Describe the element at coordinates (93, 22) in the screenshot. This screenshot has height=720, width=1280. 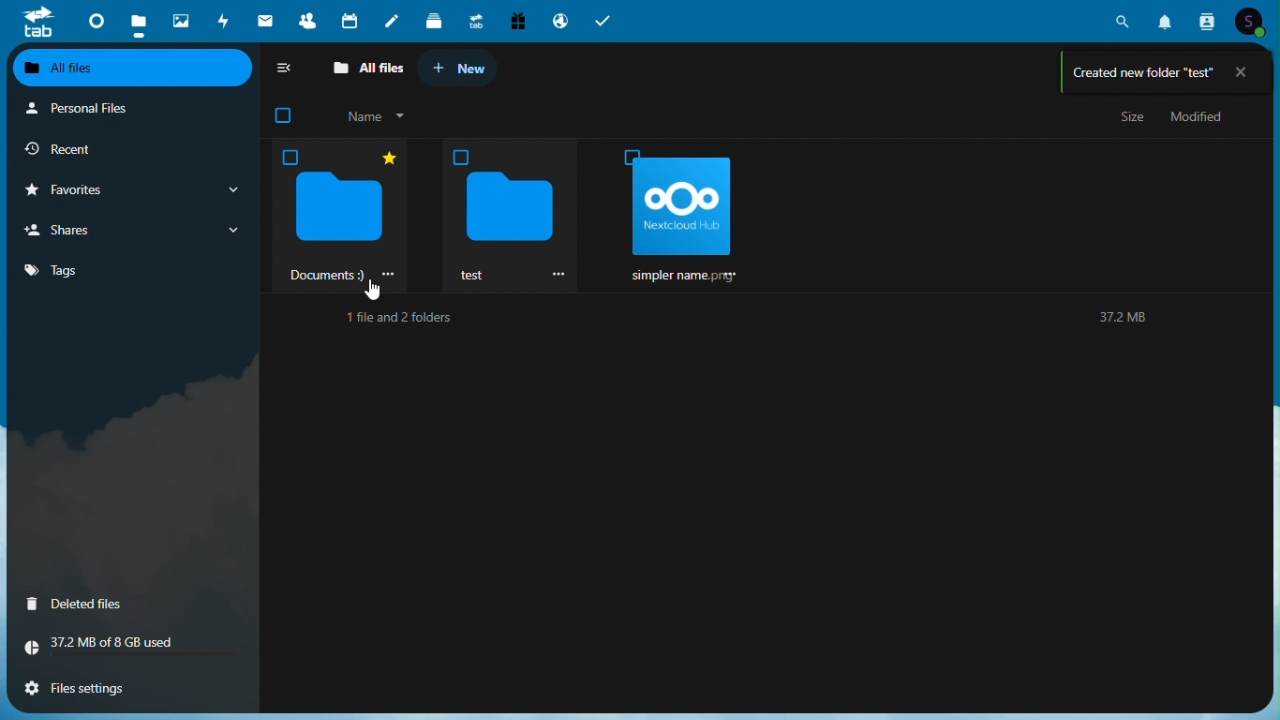
I see `Dashboard` at that location.